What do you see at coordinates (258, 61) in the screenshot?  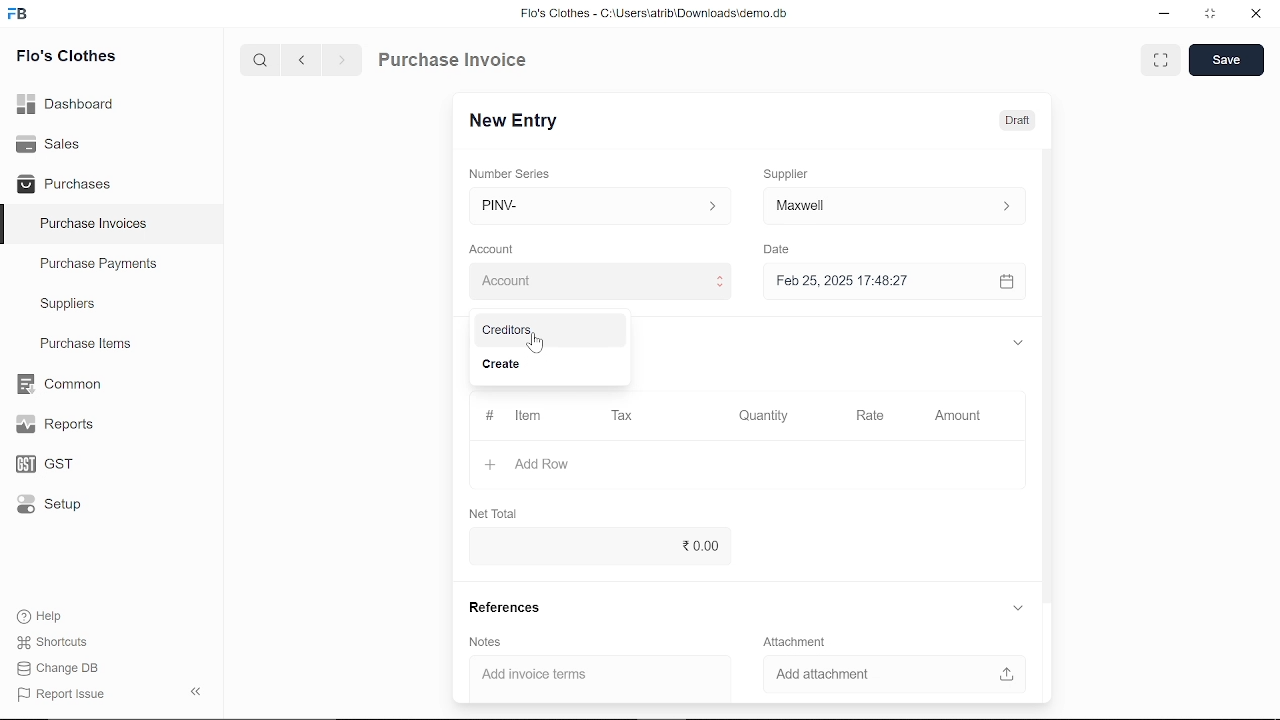 I see `serach` at bounding box center [258, 61].